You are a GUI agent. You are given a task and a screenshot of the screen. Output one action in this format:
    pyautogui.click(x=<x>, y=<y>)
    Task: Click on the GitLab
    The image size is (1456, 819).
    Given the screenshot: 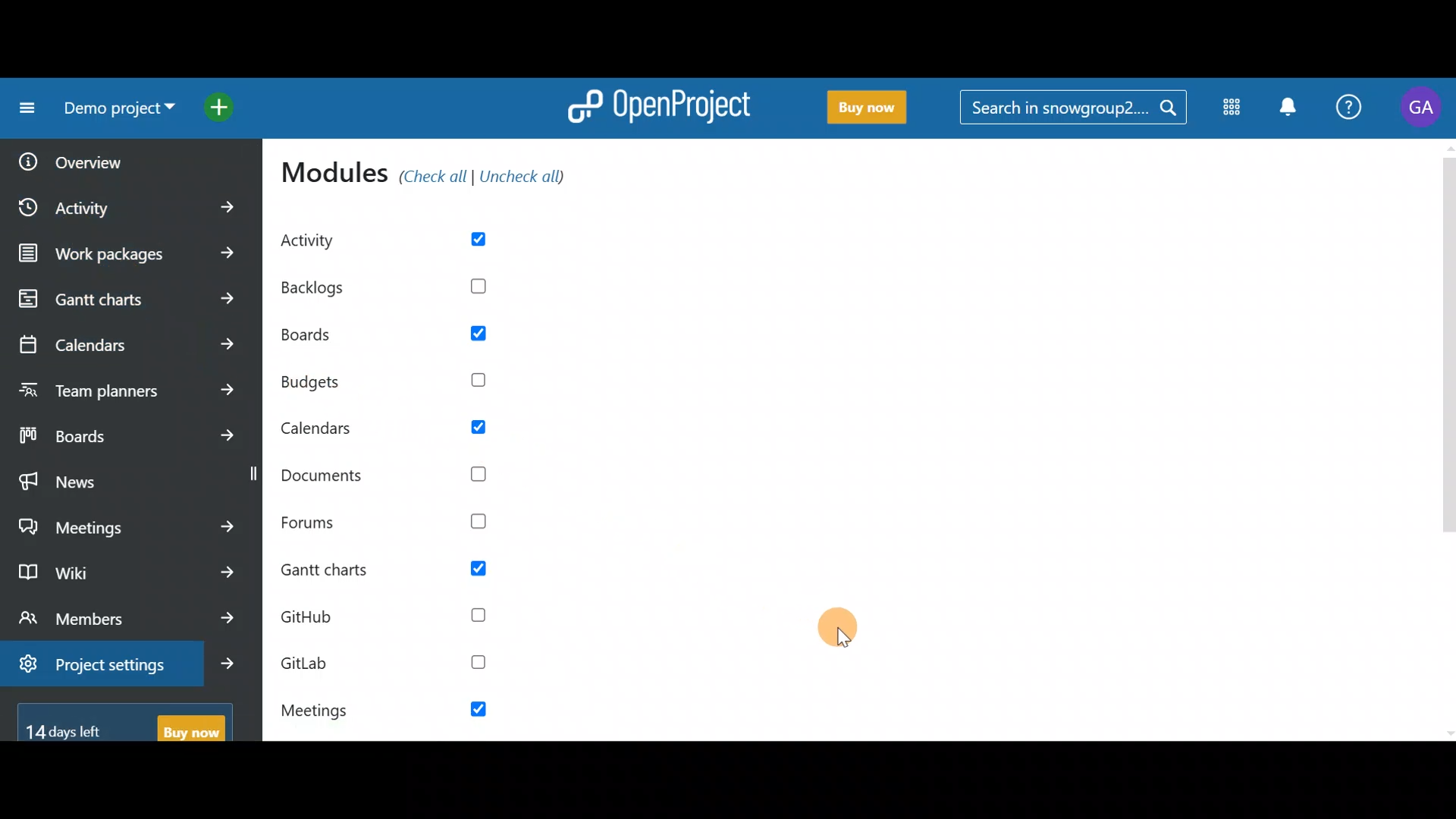 What is the action you would take?
    pyautogui.click(x=385, y=664)
    